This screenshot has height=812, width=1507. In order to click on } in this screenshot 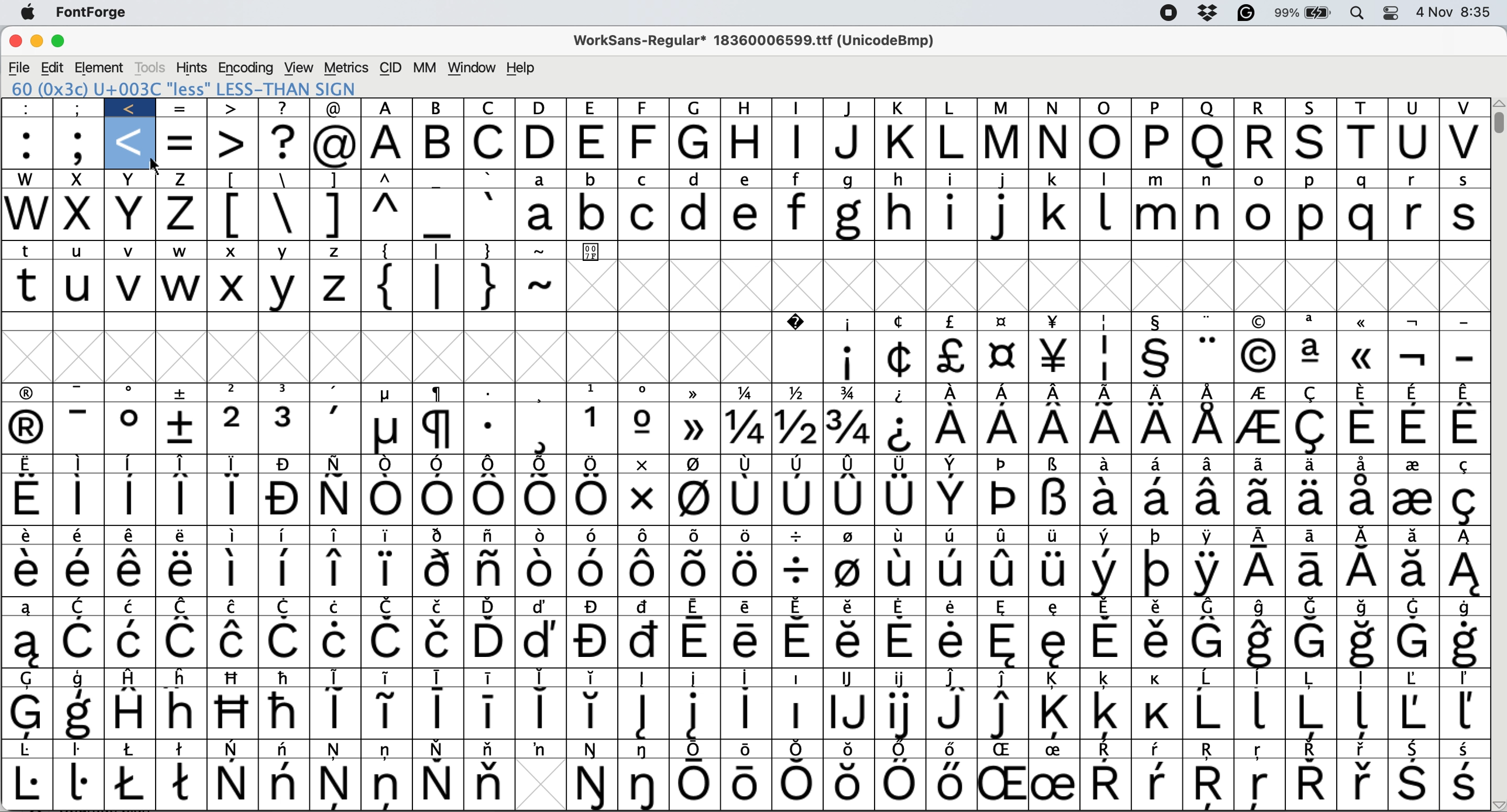, I will do `click(490, 285)`.